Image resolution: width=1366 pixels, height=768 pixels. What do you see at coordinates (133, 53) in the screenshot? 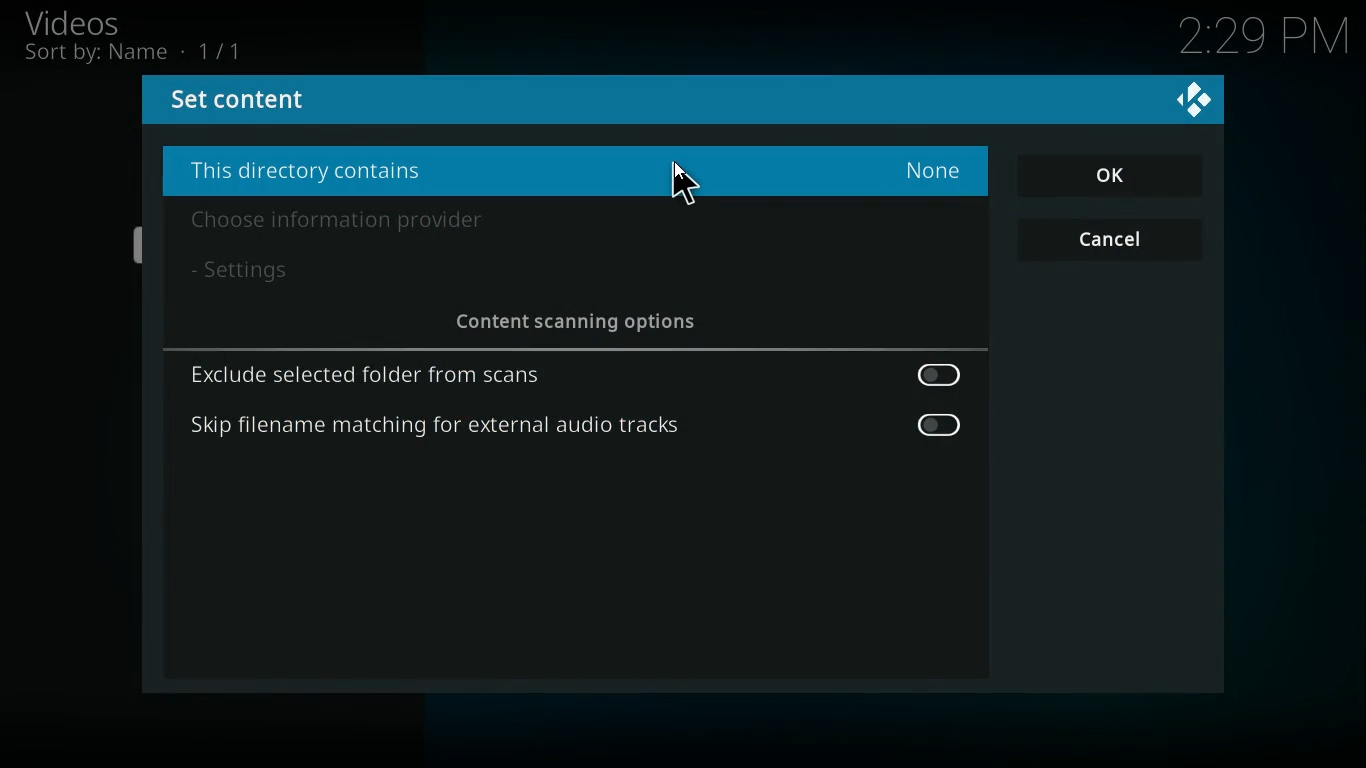
I see `sort by name 1/1` at bounding box center [133, 53].